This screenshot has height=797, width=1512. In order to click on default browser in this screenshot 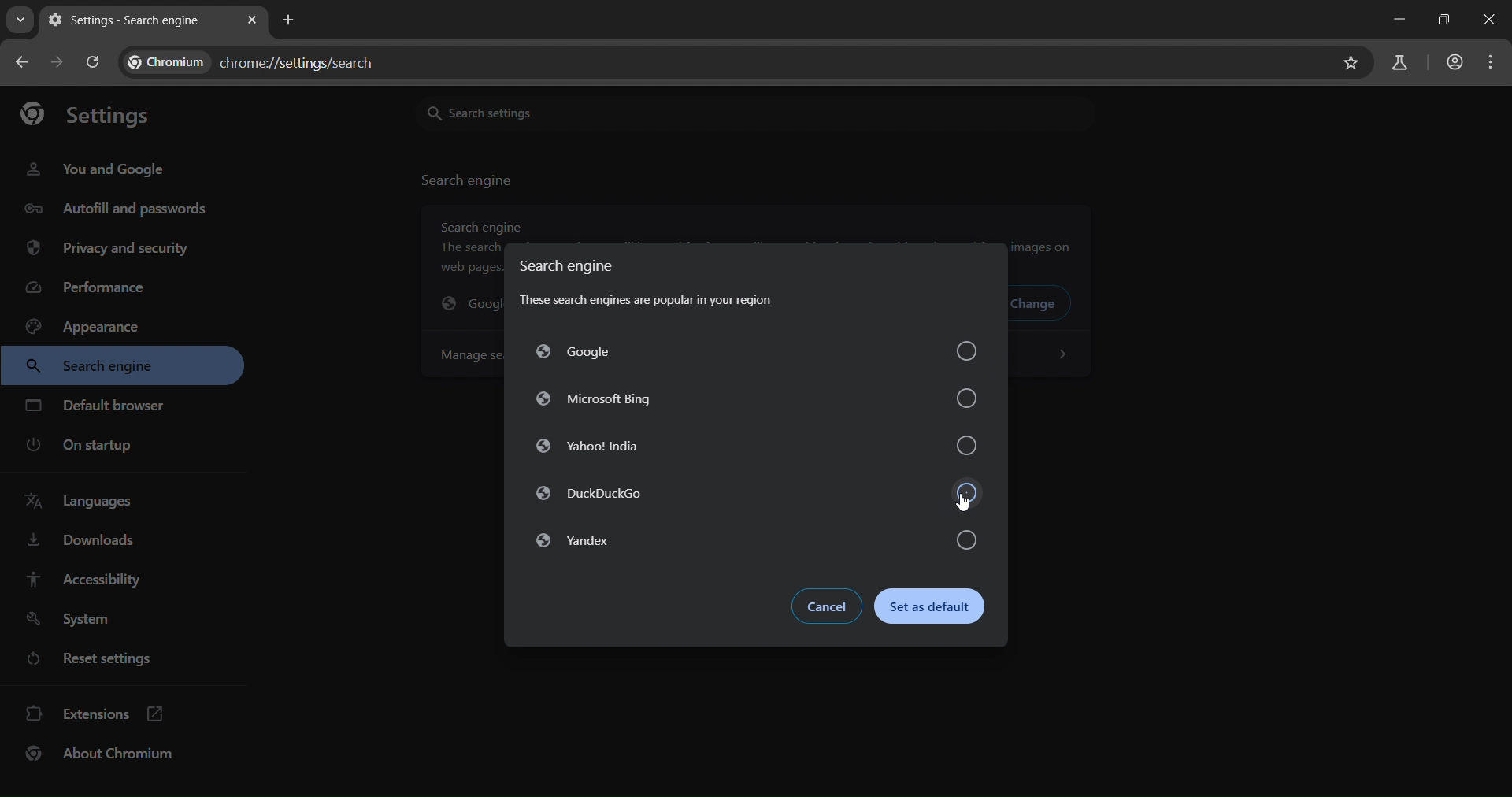, I will do `click(98, 405)`.